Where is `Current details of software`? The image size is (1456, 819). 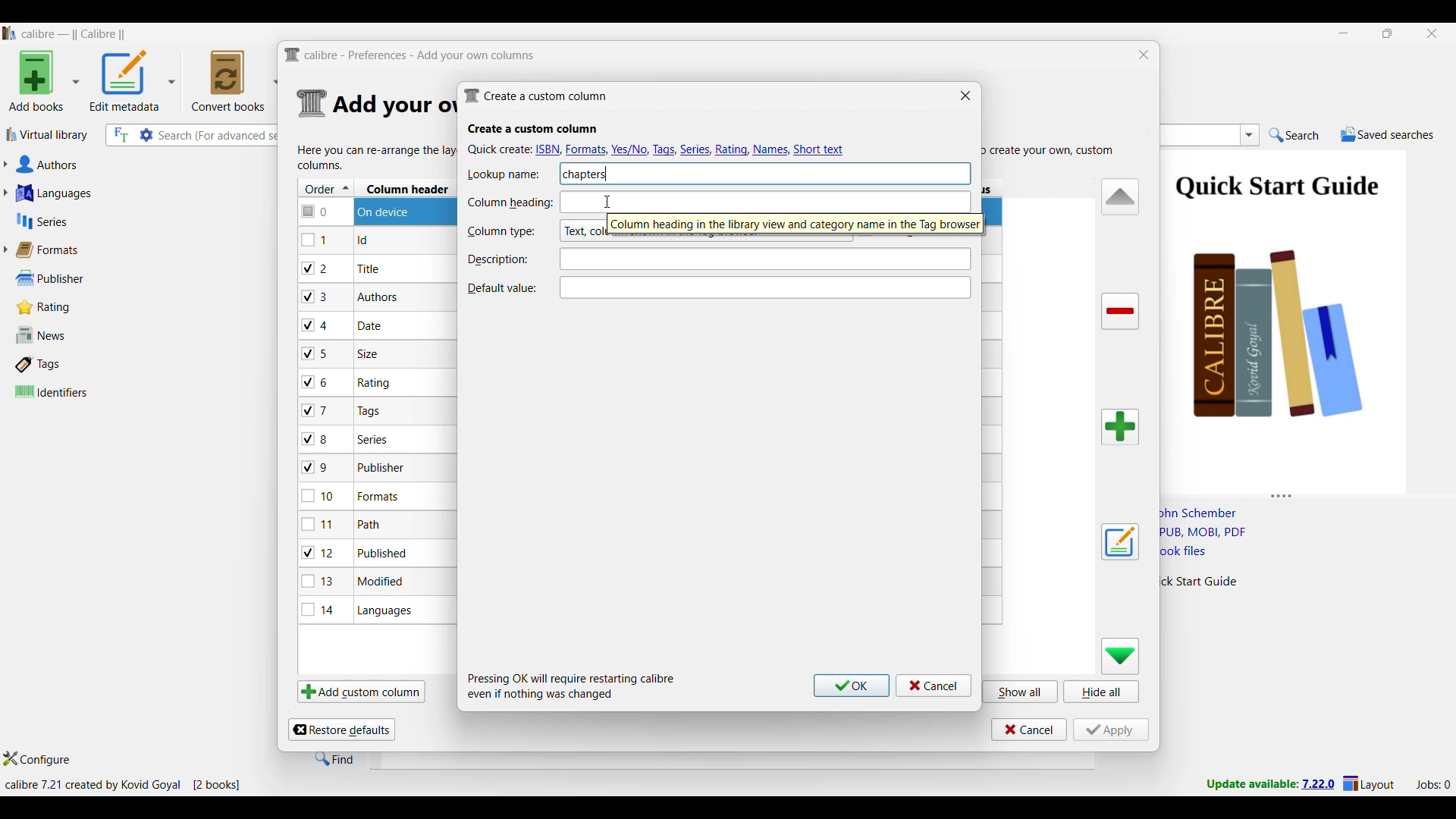 Current details of software is located at coordinates (122, 785).